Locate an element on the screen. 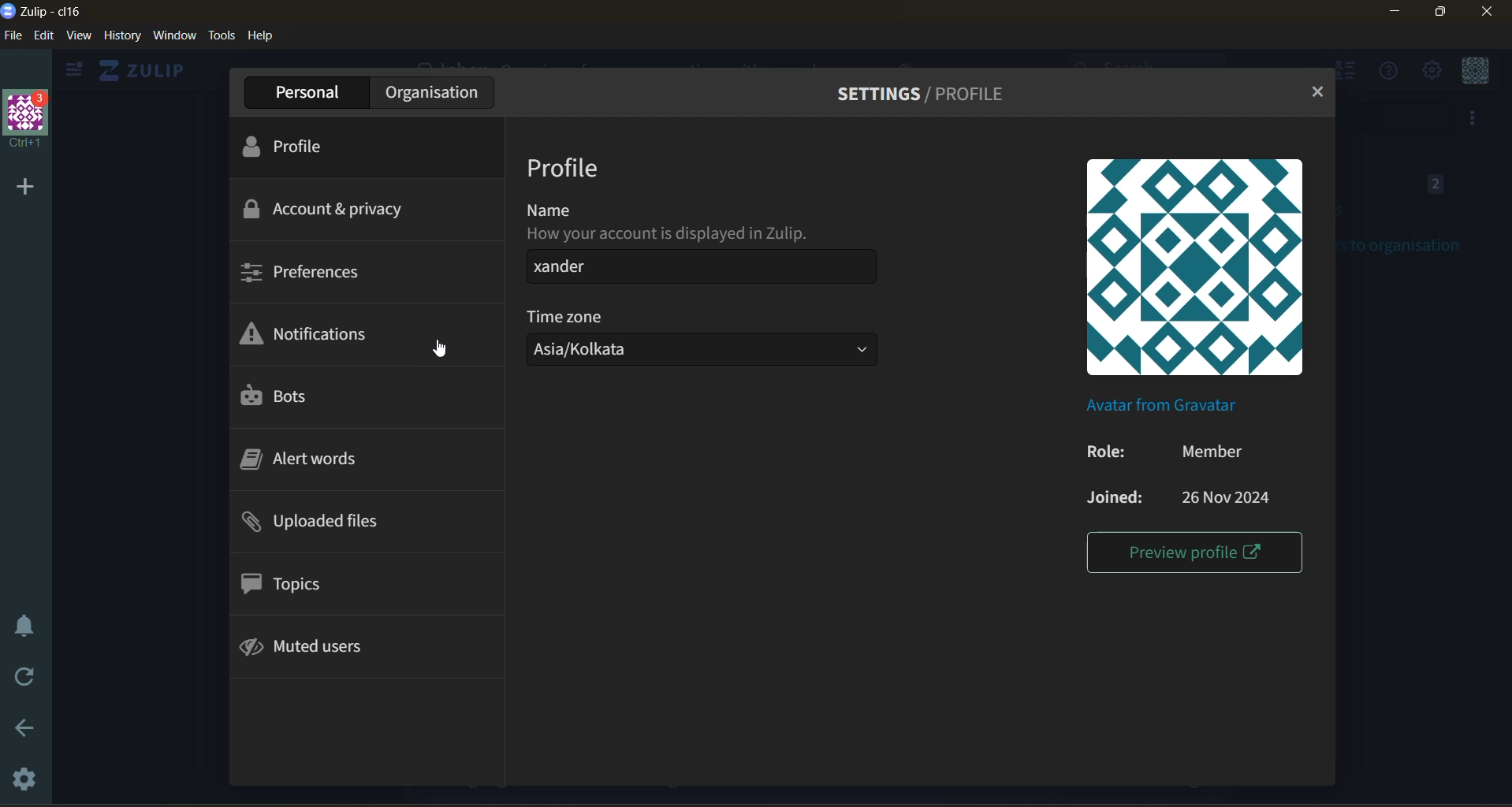  help is located at coordinates (263, 35).